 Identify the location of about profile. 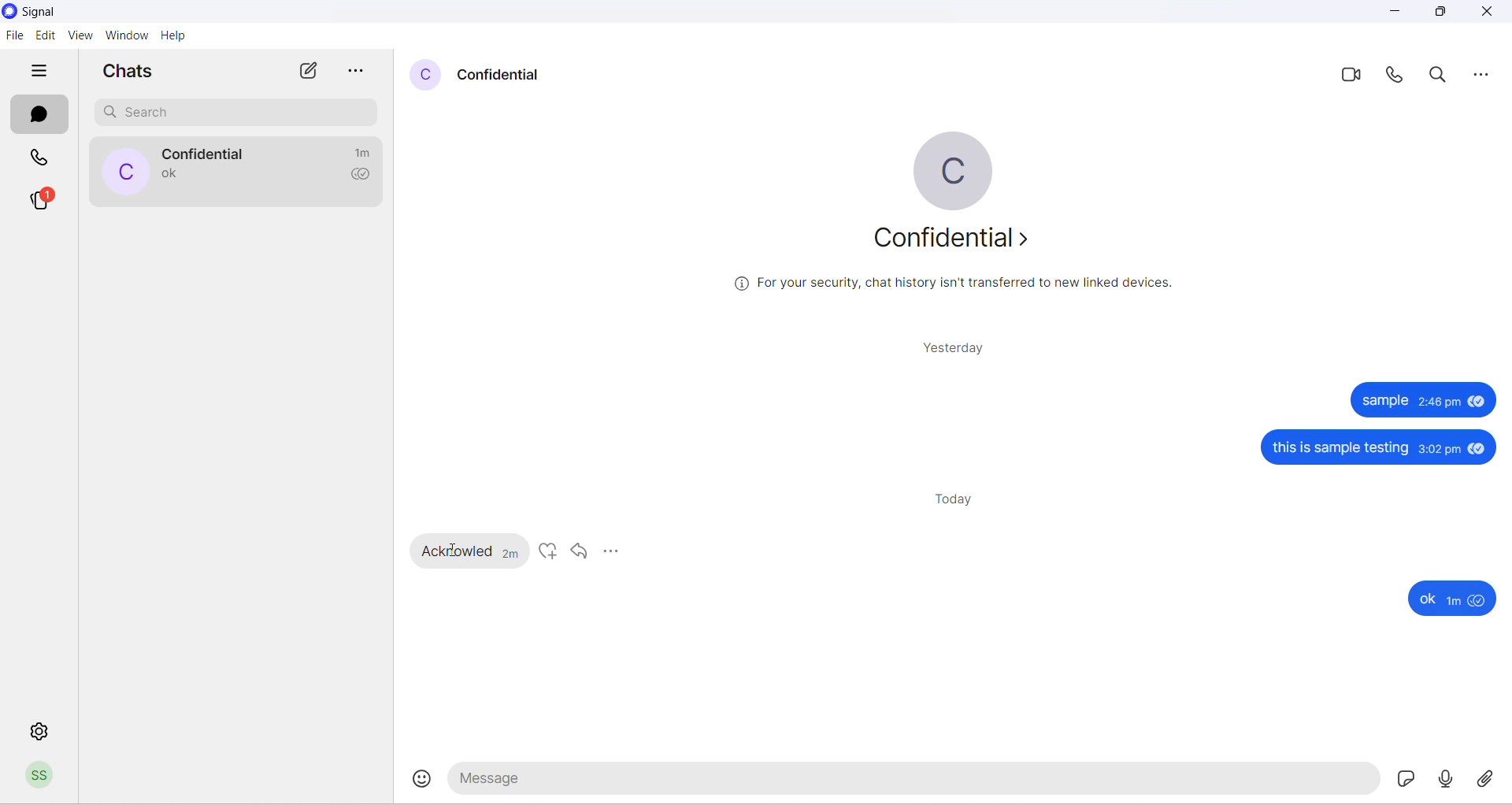
(956, 242).